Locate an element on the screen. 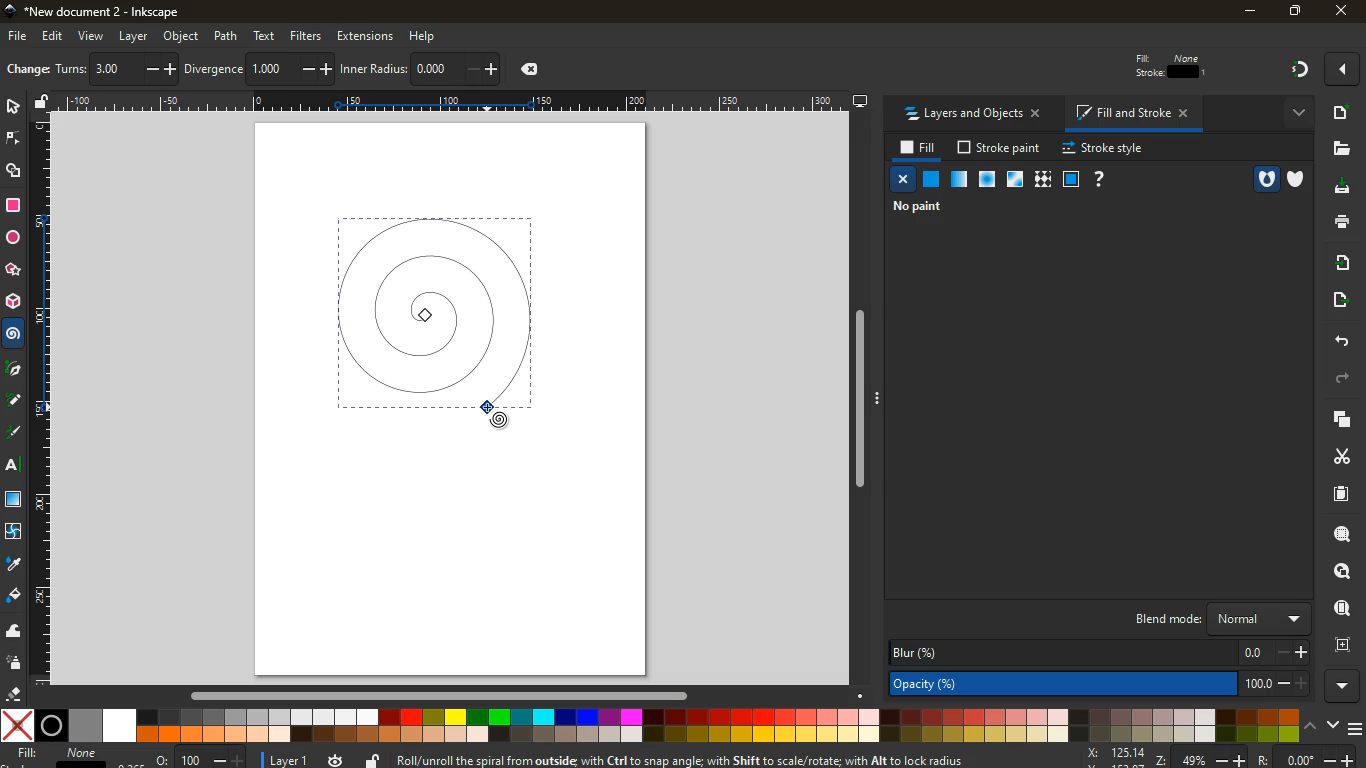 The width and height of the screenshot is (1366, 768). maximize is located at coordinates (1293, 10).